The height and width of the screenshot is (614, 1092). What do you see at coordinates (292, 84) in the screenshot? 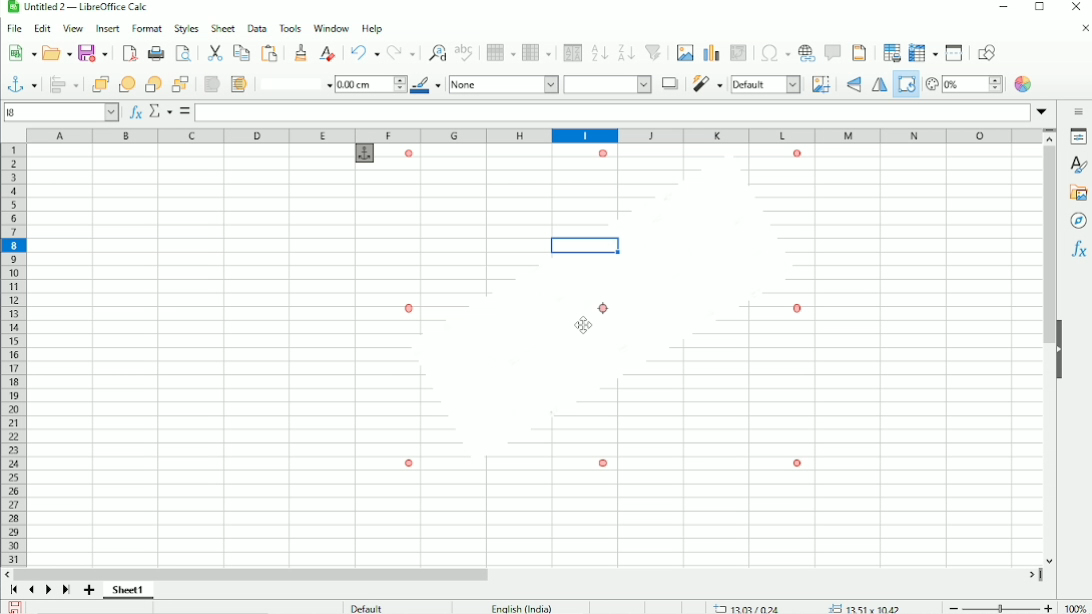
I see `Line style` at bounding box center [292, 84].